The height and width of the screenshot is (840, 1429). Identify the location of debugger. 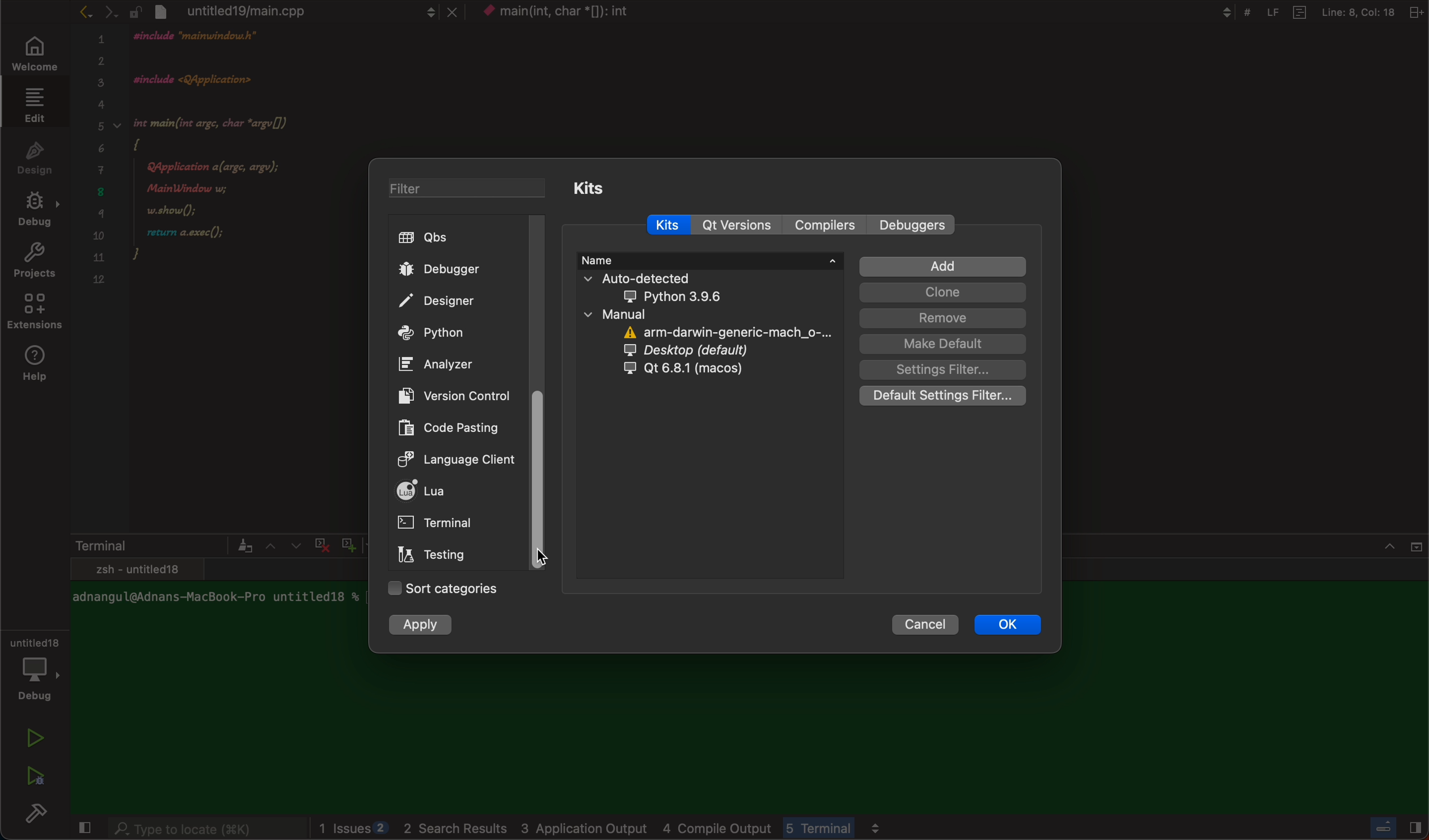
(34, 667).